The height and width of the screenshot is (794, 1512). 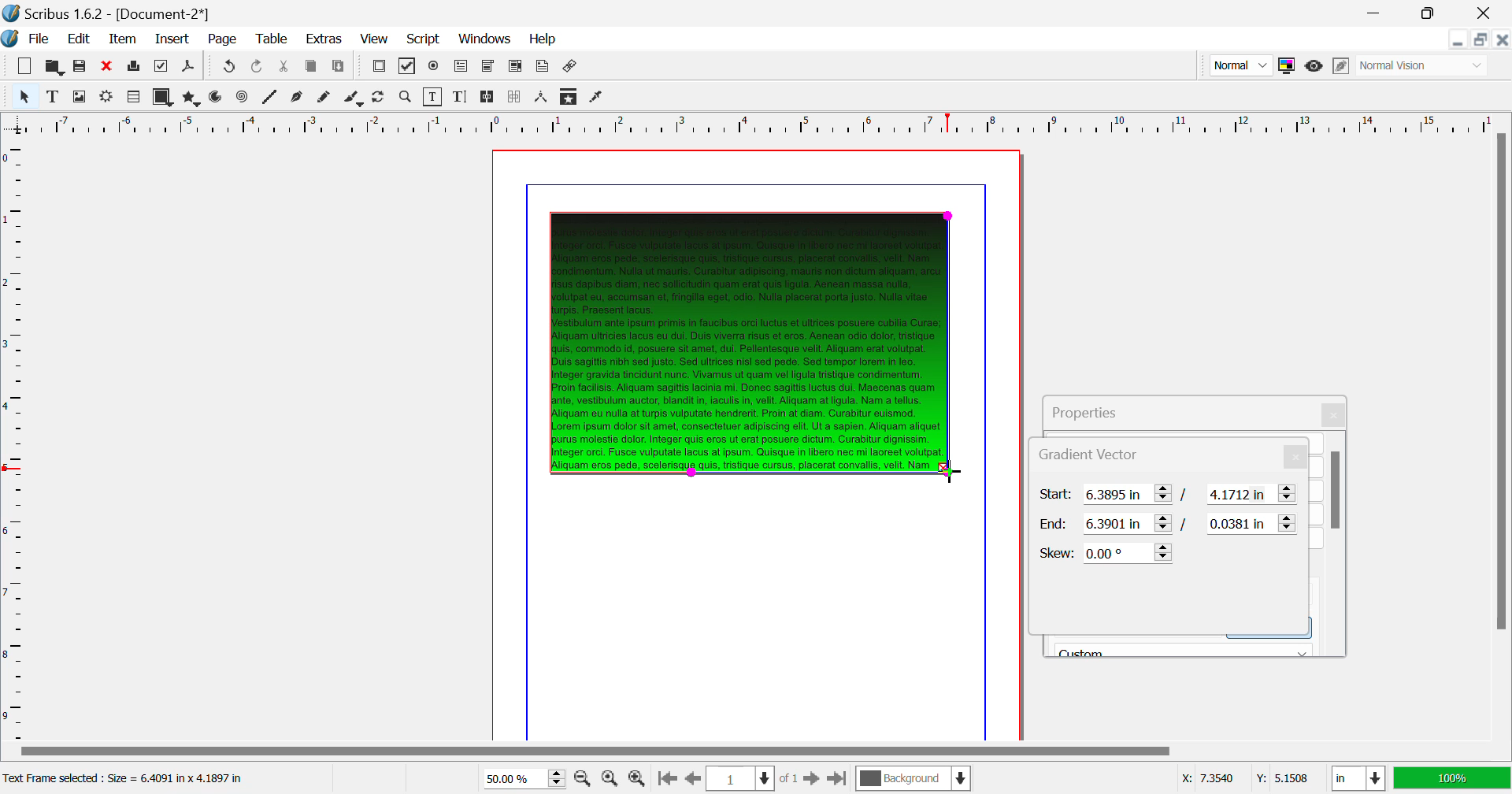 I want to click on Copy, so click(x=312, y=69).